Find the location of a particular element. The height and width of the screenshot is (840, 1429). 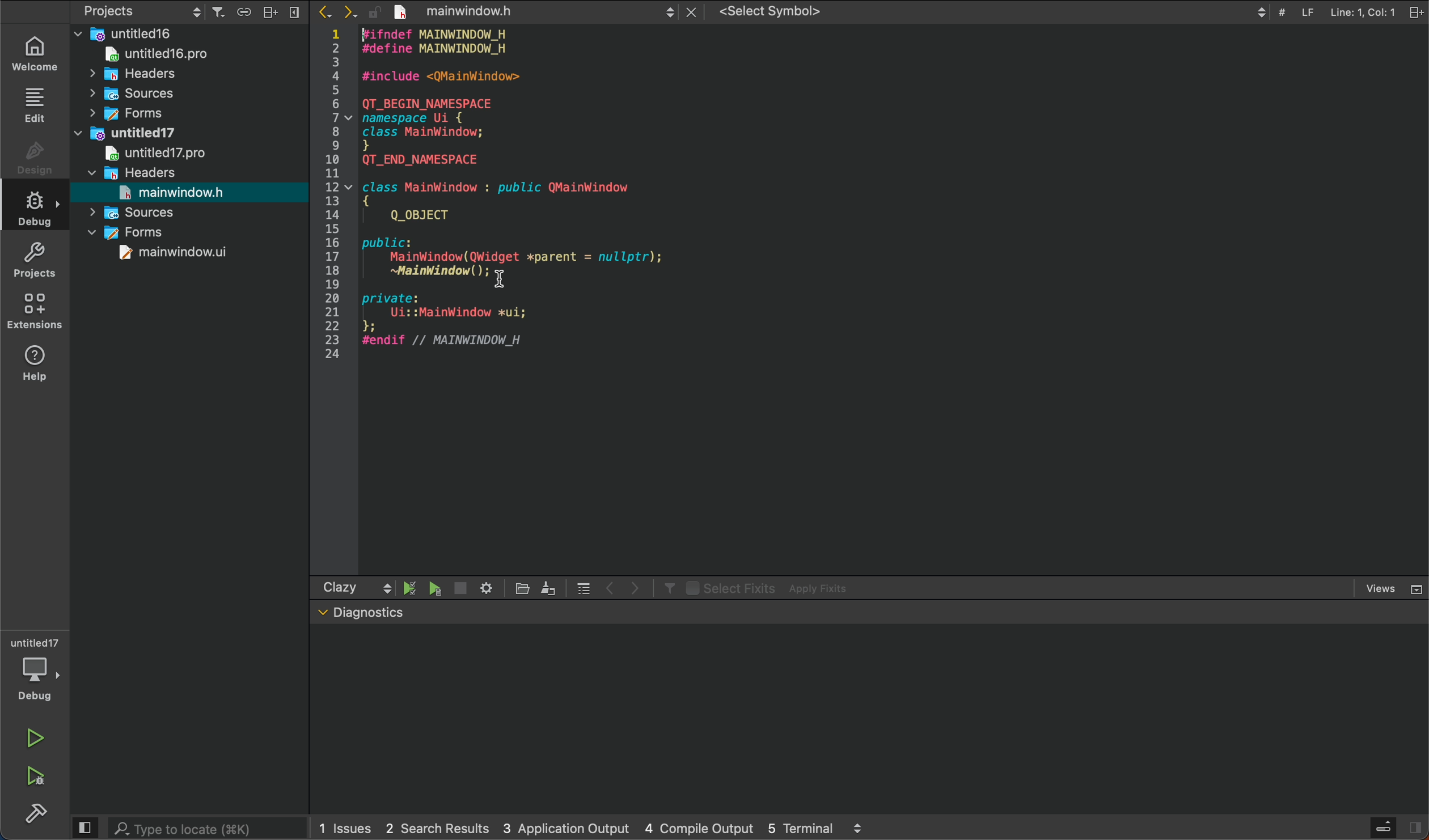

mainwindow.ui is located at coordinates (176, 254).